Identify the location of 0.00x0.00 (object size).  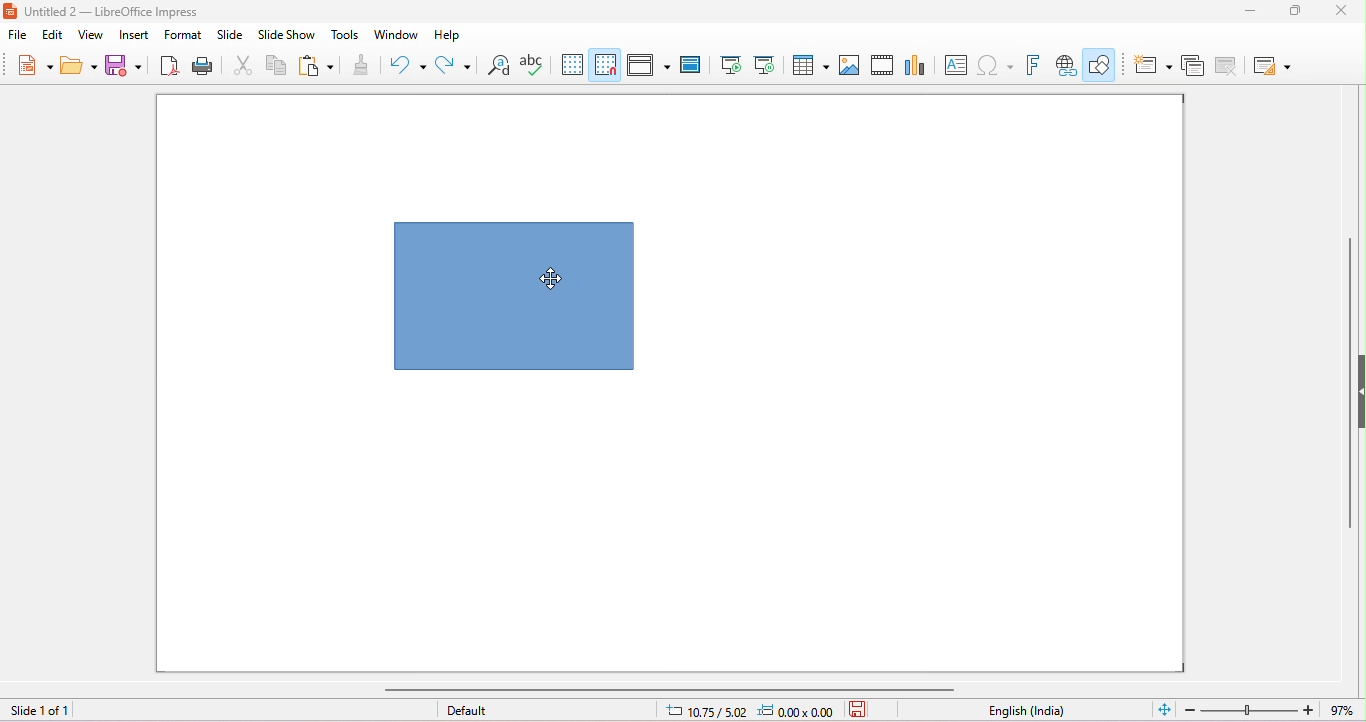
(799, 711).